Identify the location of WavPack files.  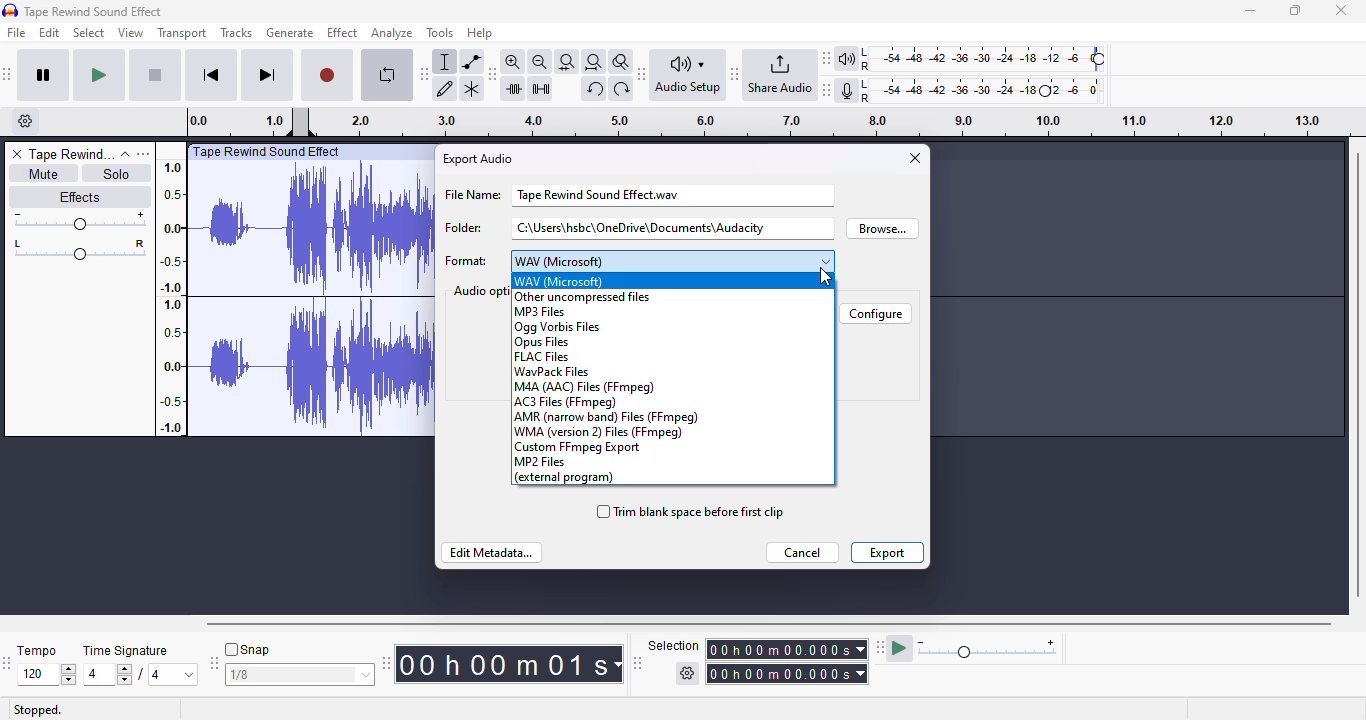
(551, 371).